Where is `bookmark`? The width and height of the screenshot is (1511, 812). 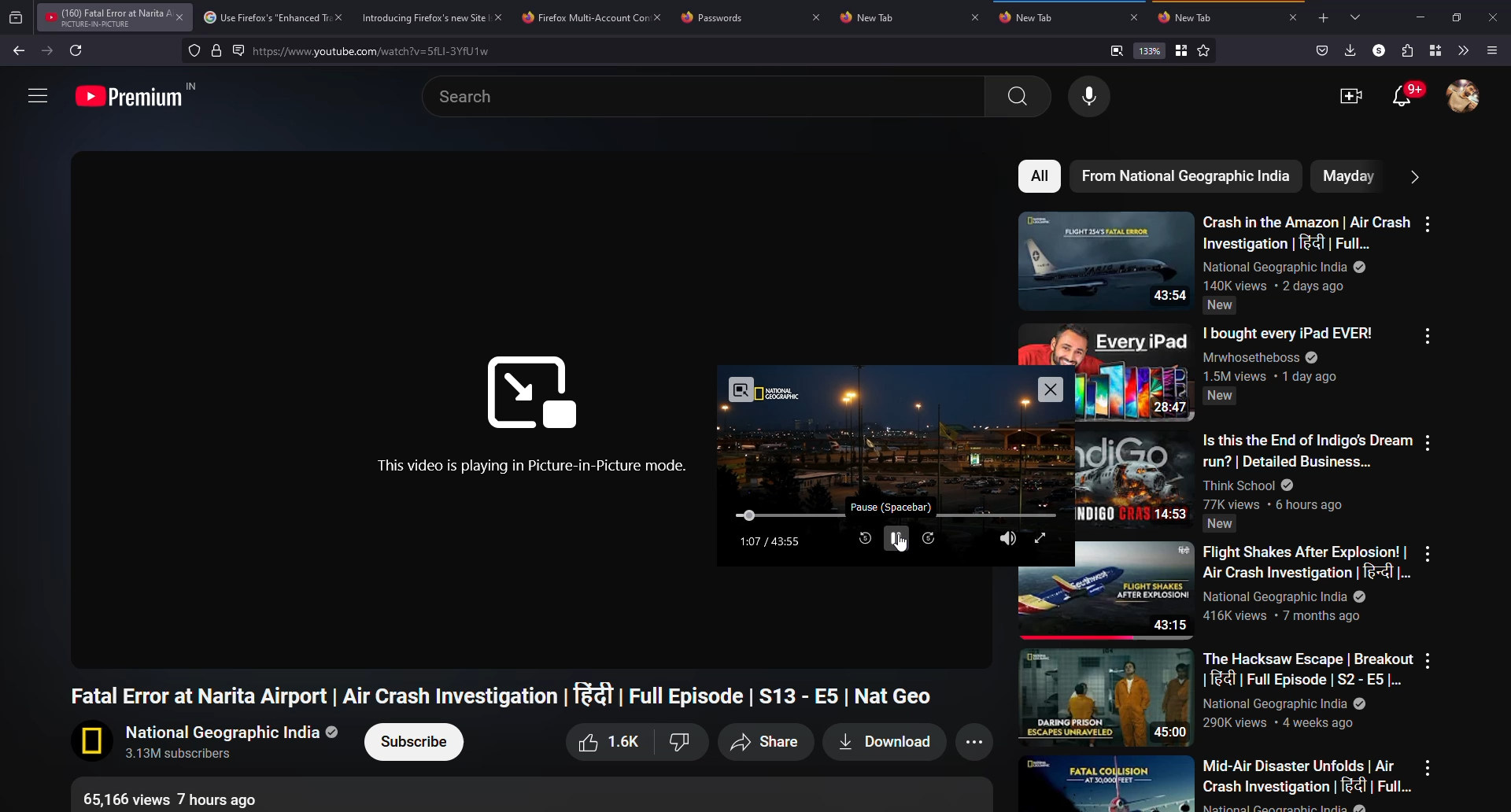 bookmark is located at coordinates (1181, 50).